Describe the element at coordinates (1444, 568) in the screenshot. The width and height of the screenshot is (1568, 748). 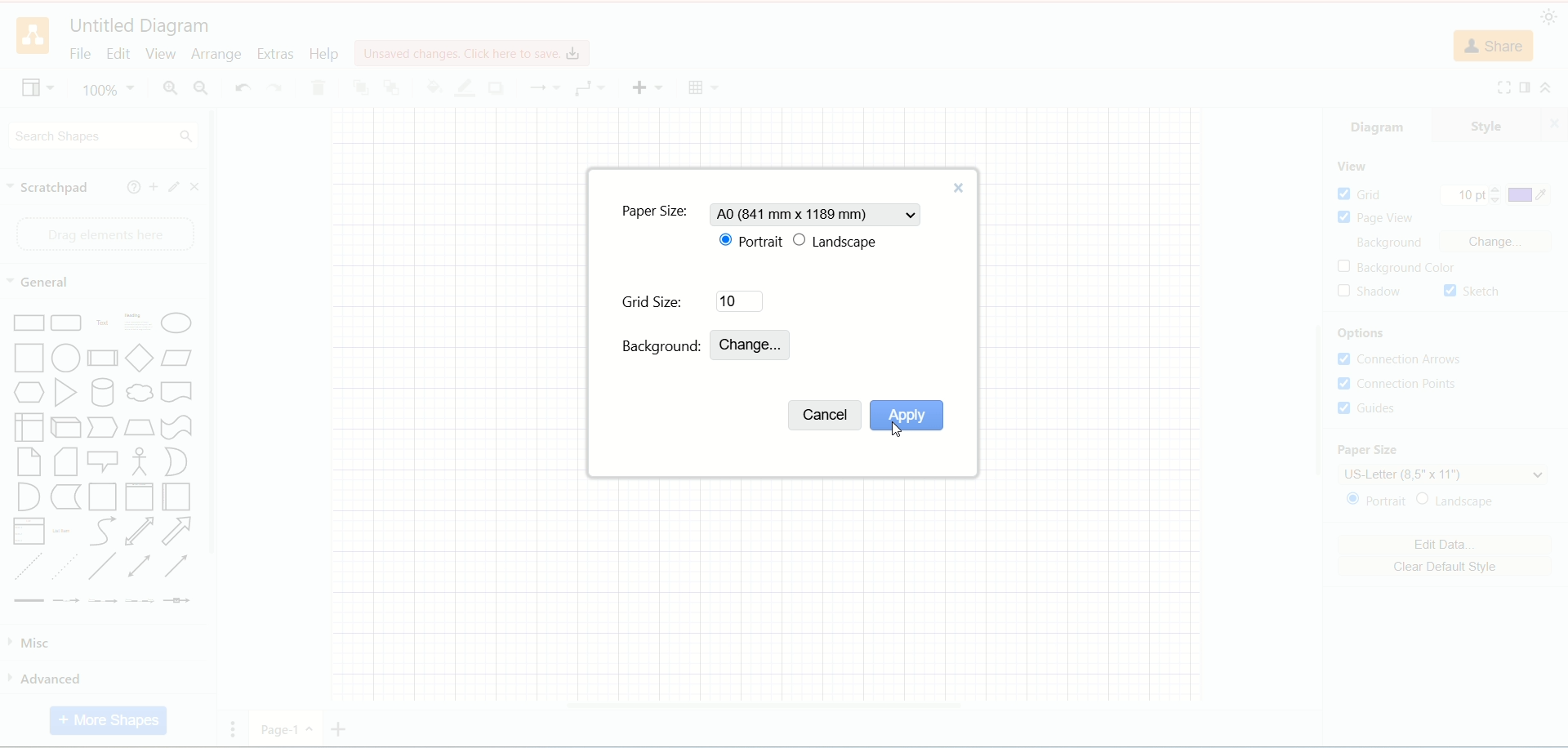
I see `clear default style` at that location.